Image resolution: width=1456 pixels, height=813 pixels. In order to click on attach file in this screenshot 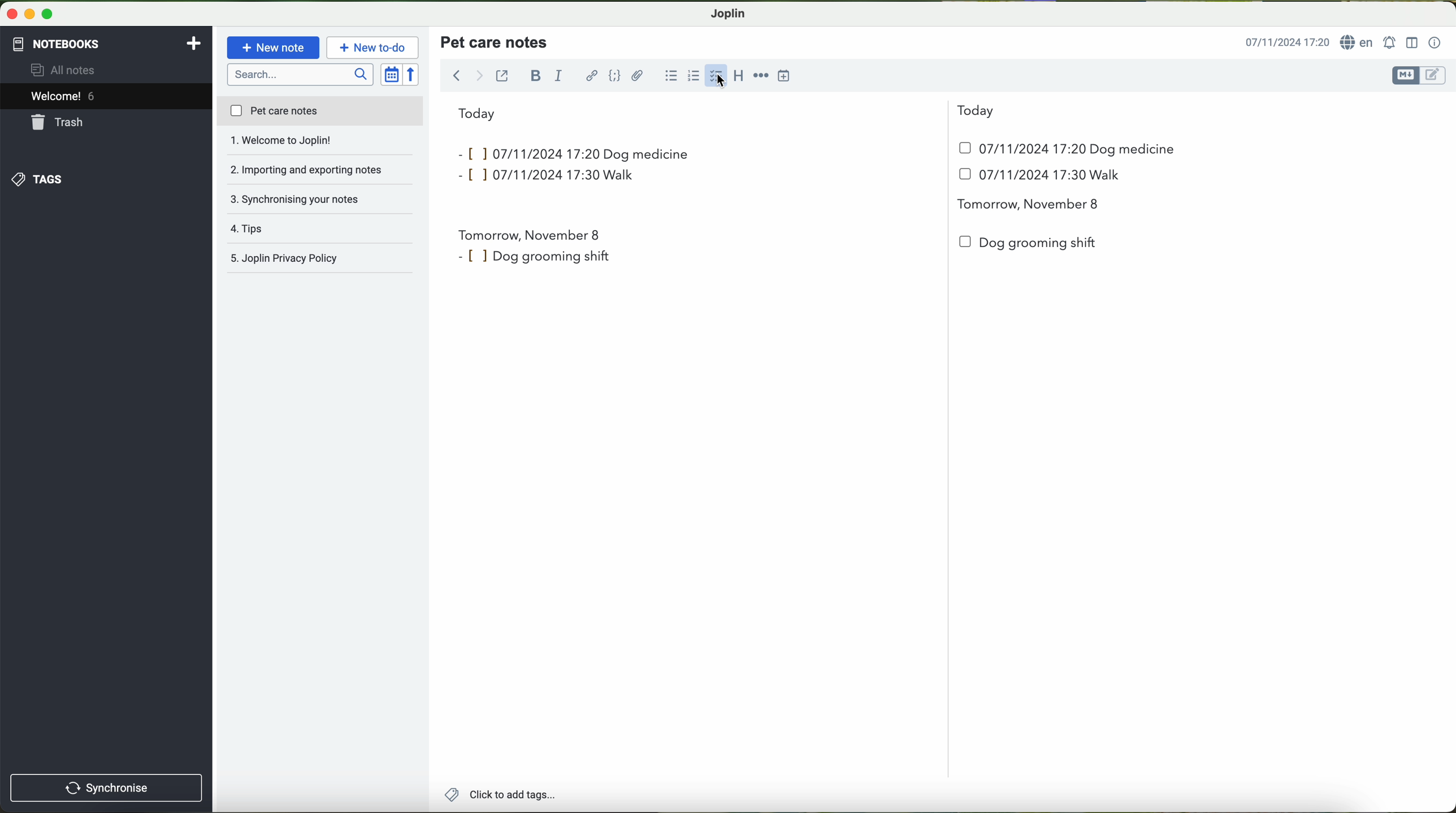, I will do `click(638, 75)`.